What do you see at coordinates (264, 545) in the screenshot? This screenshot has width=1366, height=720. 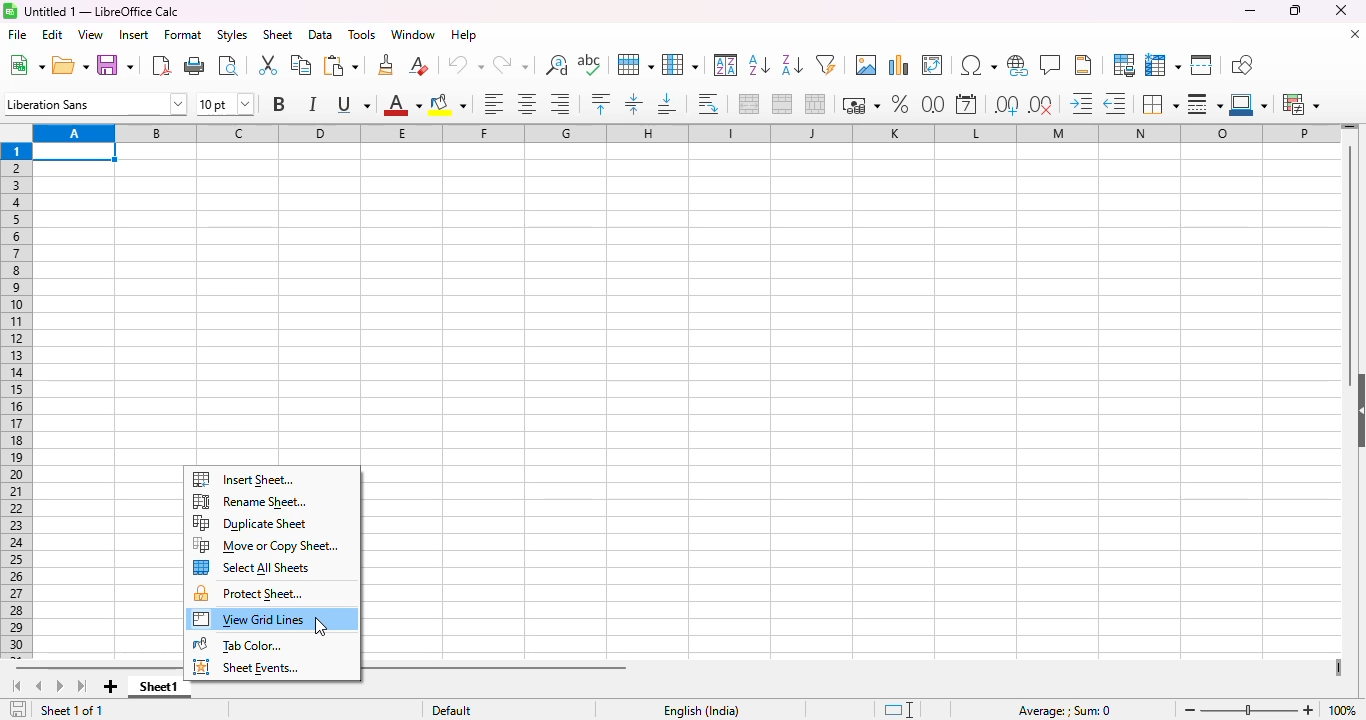 I see `move or copy sheet` at bounding box center [264, 545].